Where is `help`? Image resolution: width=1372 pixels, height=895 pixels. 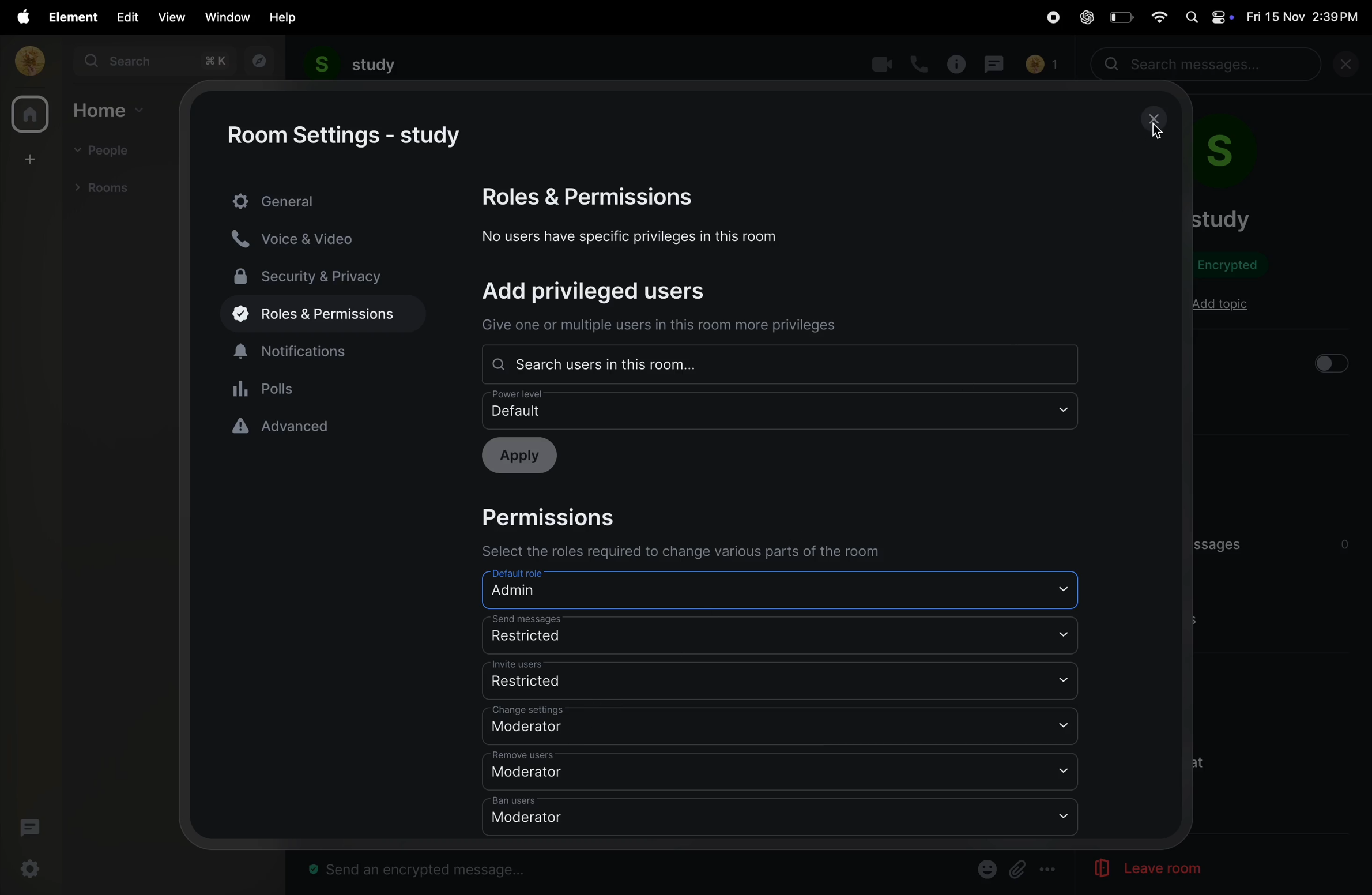
help is located at coordinates (284, 17).